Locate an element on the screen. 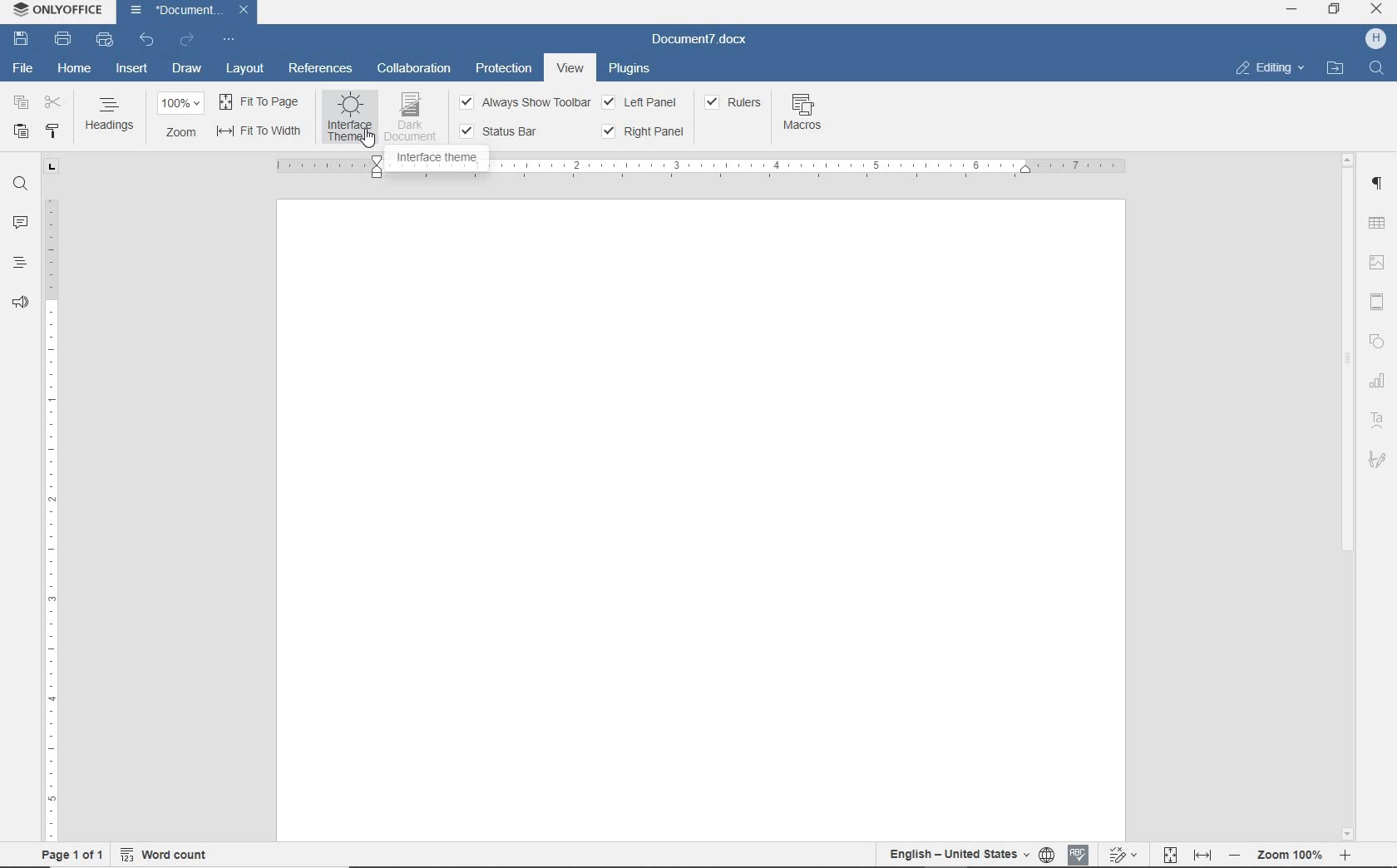 This screenshot has height=868, width=1397. SET DOCUMENT LANGUAGE is located at coordinates (1047, 855).